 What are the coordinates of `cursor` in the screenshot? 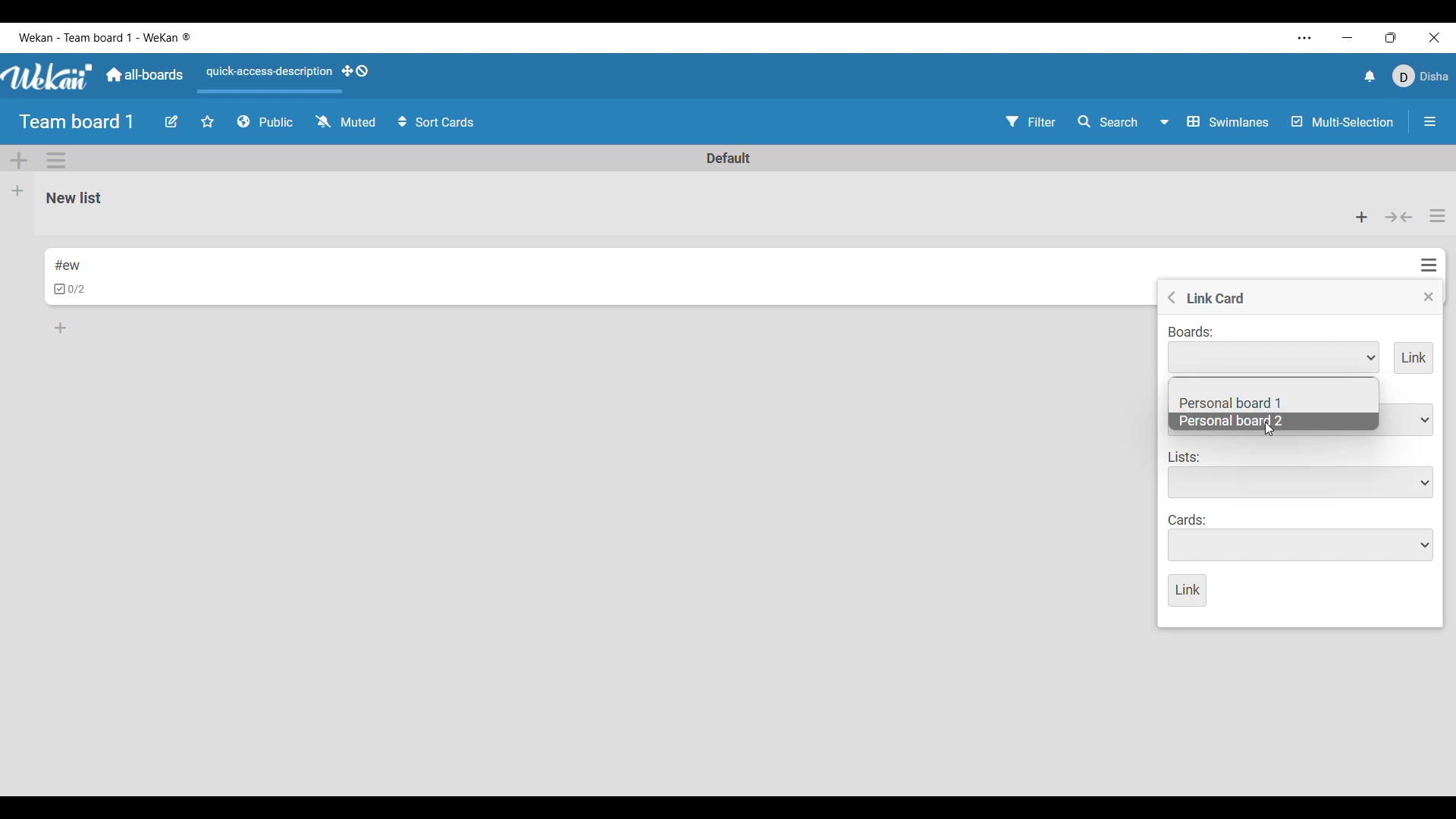 It's located at (1272, 430).